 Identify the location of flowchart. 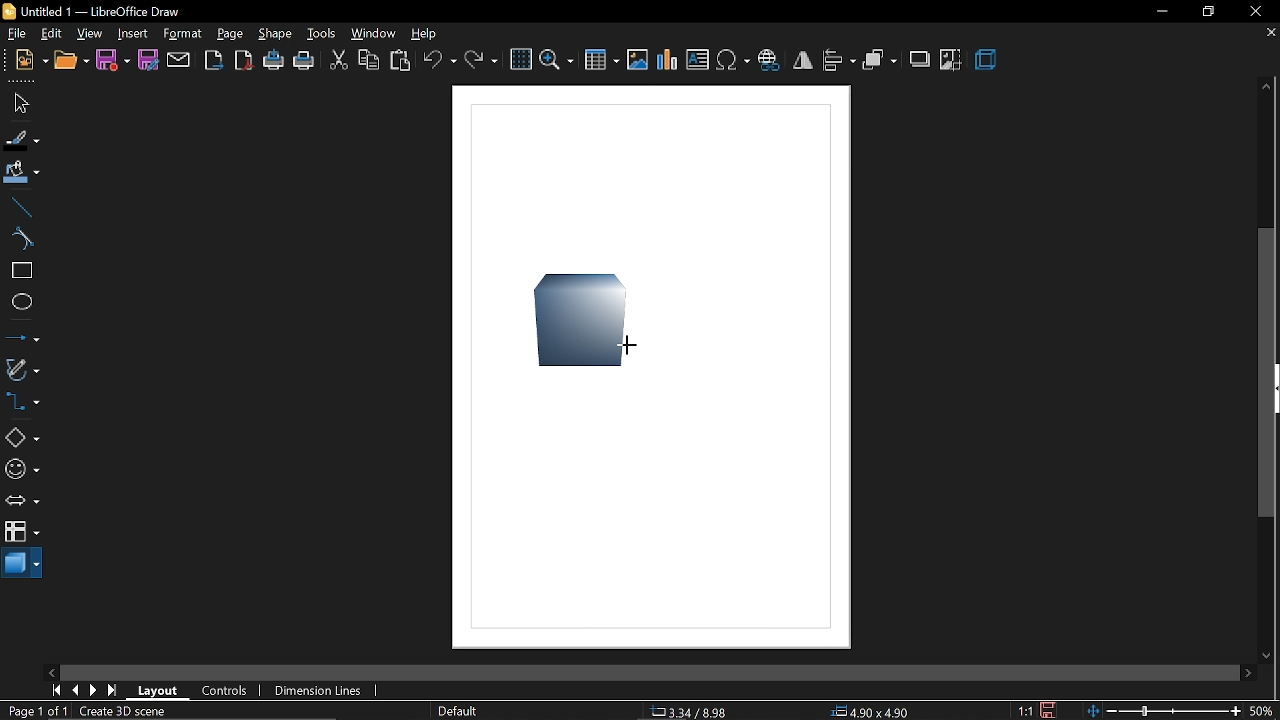
(23, 532).